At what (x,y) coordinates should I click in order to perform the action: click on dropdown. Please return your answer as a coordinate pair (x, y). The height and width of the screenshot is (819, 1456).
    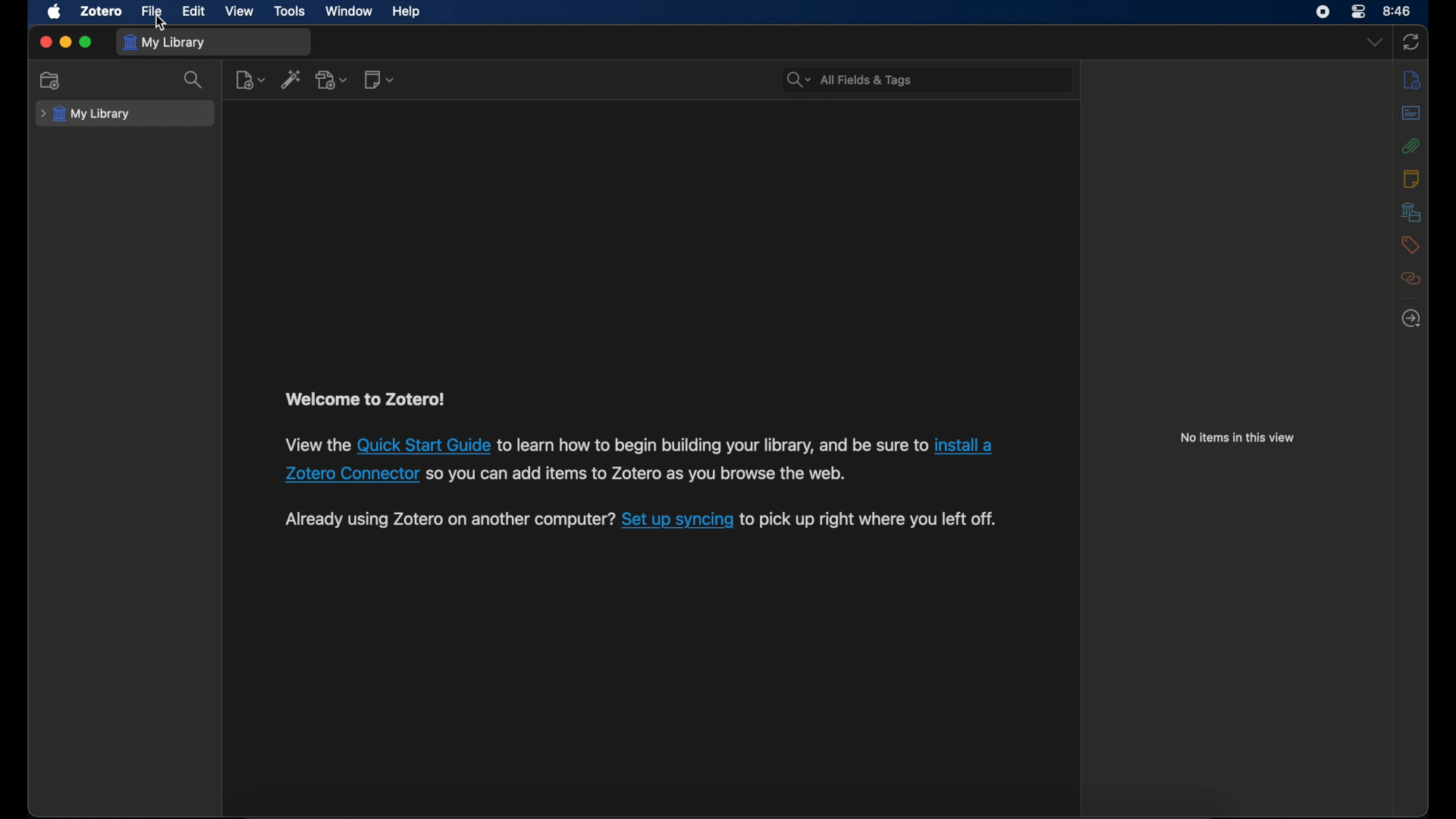
    Looking at the image, I should click on (1375, 42).